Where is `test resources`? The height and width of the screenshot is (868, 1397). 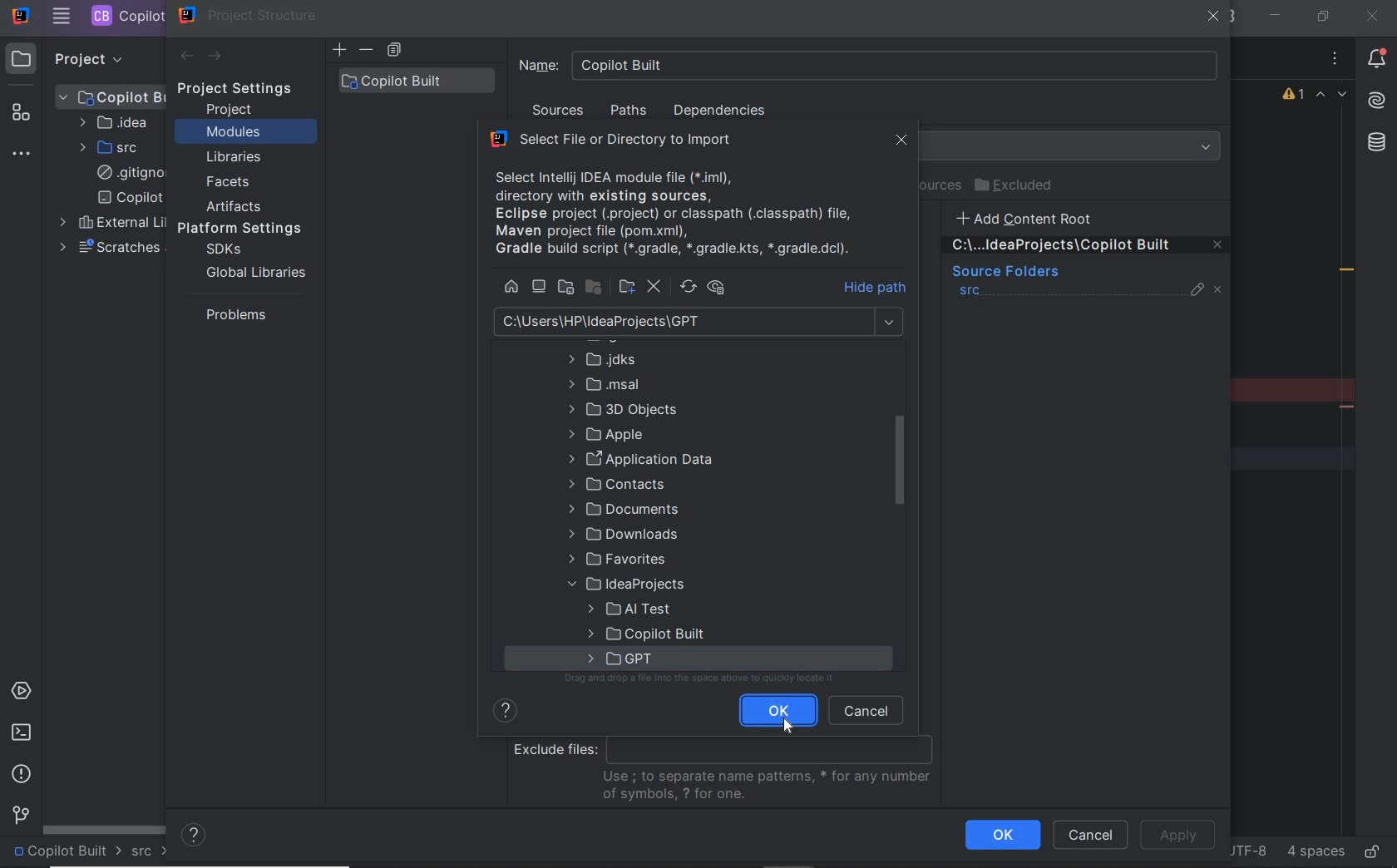 test resources is located at coordinates (945, 186).